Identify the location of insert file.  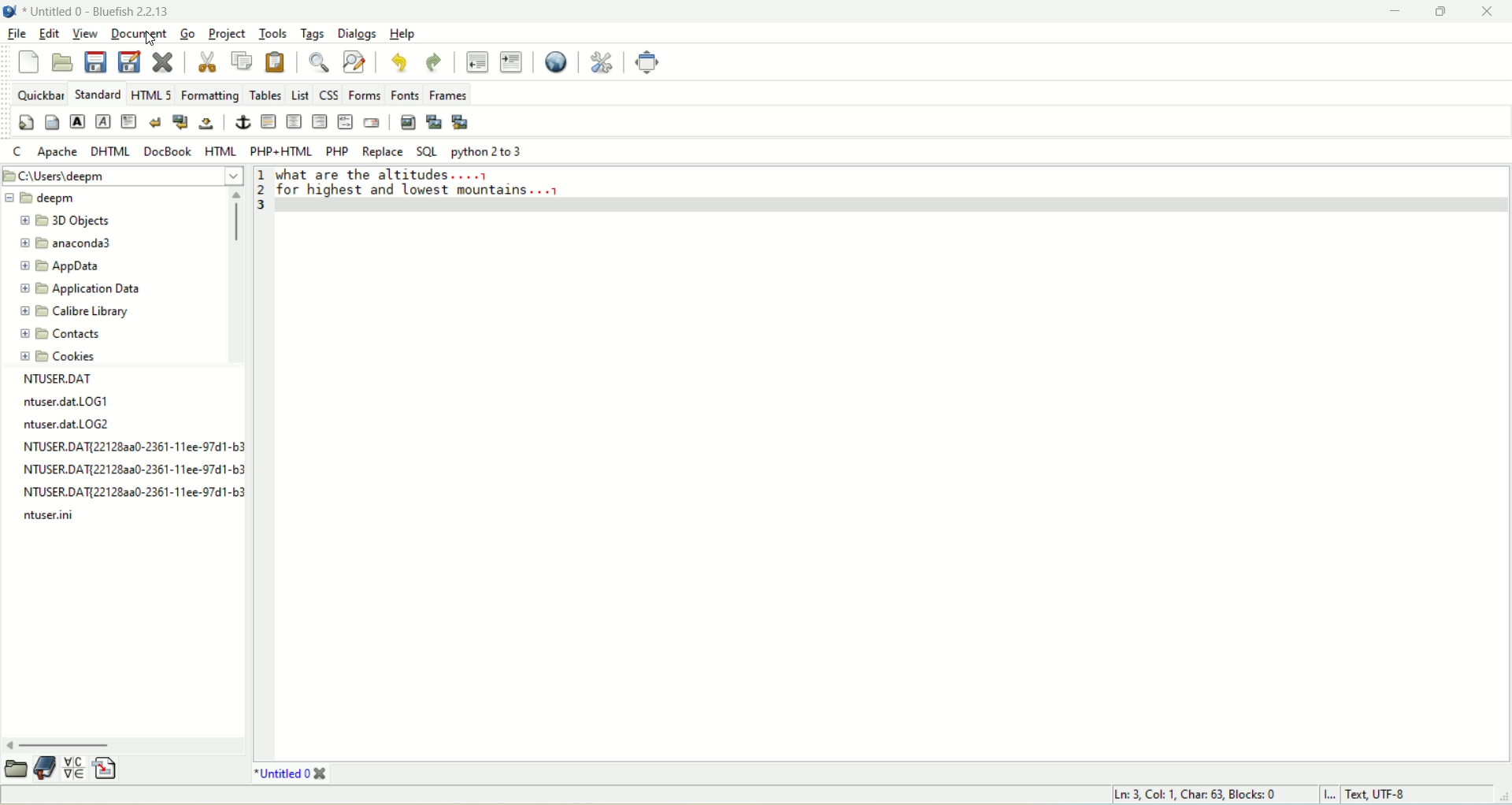
(113, 767).